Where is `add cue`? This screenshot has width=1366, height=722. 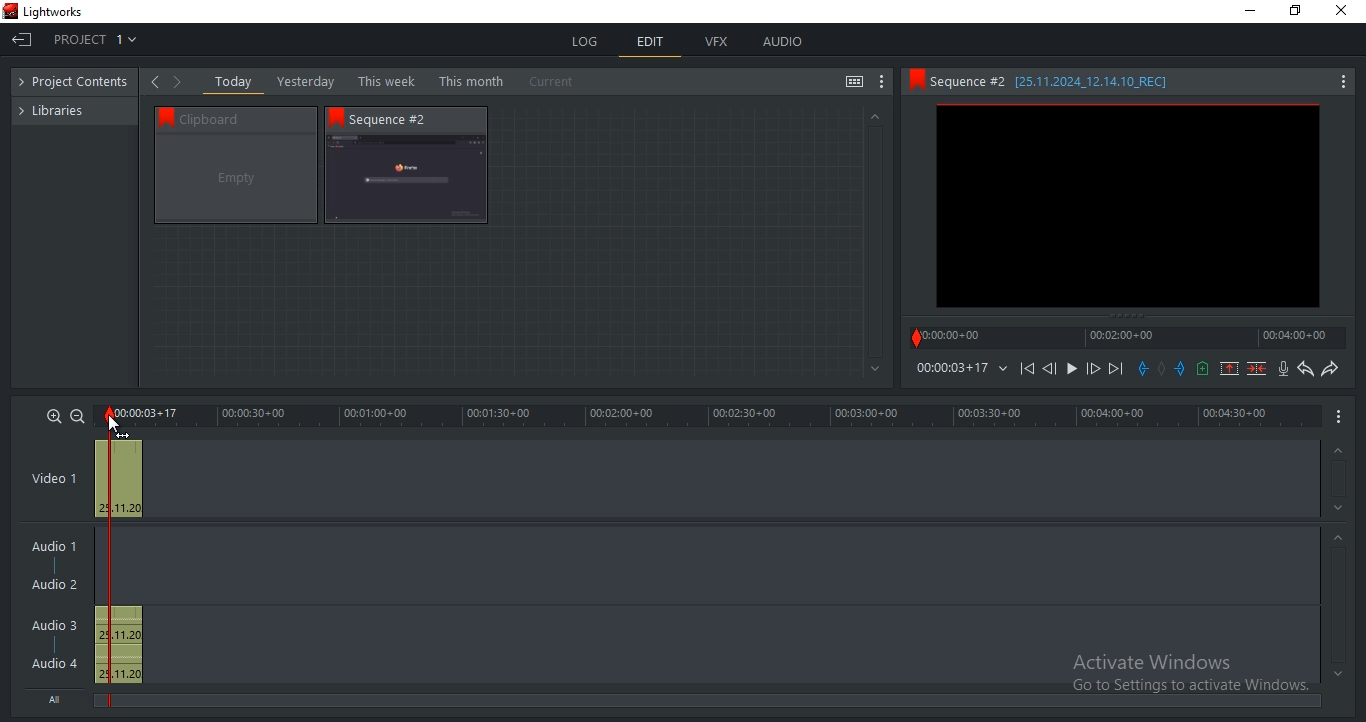 add cue is located at coordinates (1203, 369).